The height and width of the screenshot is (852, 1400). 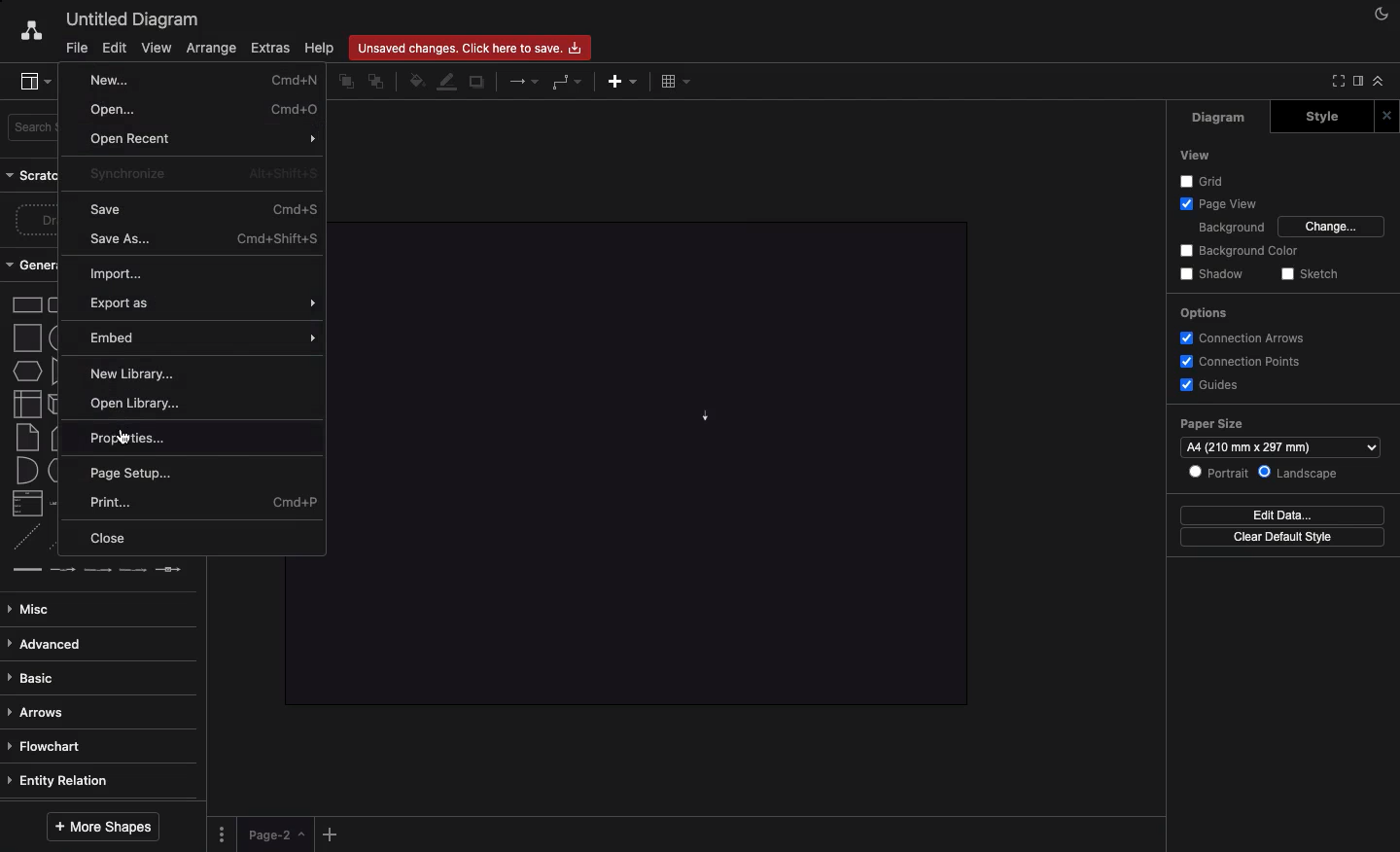 What do you see at coordinates (33, 265) in the screenshot?
I see `General` at bounding box center [33, 265].